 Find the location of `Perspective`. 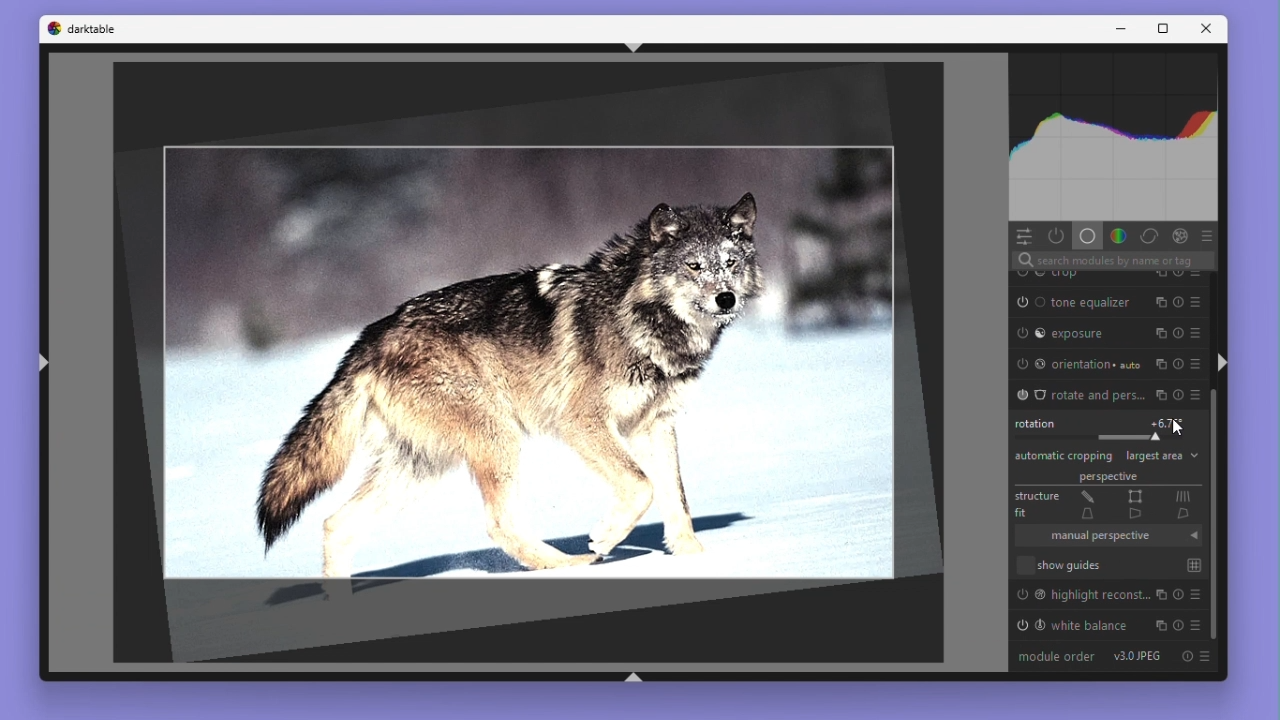

Perspective is located at coordinates (1107, 478).